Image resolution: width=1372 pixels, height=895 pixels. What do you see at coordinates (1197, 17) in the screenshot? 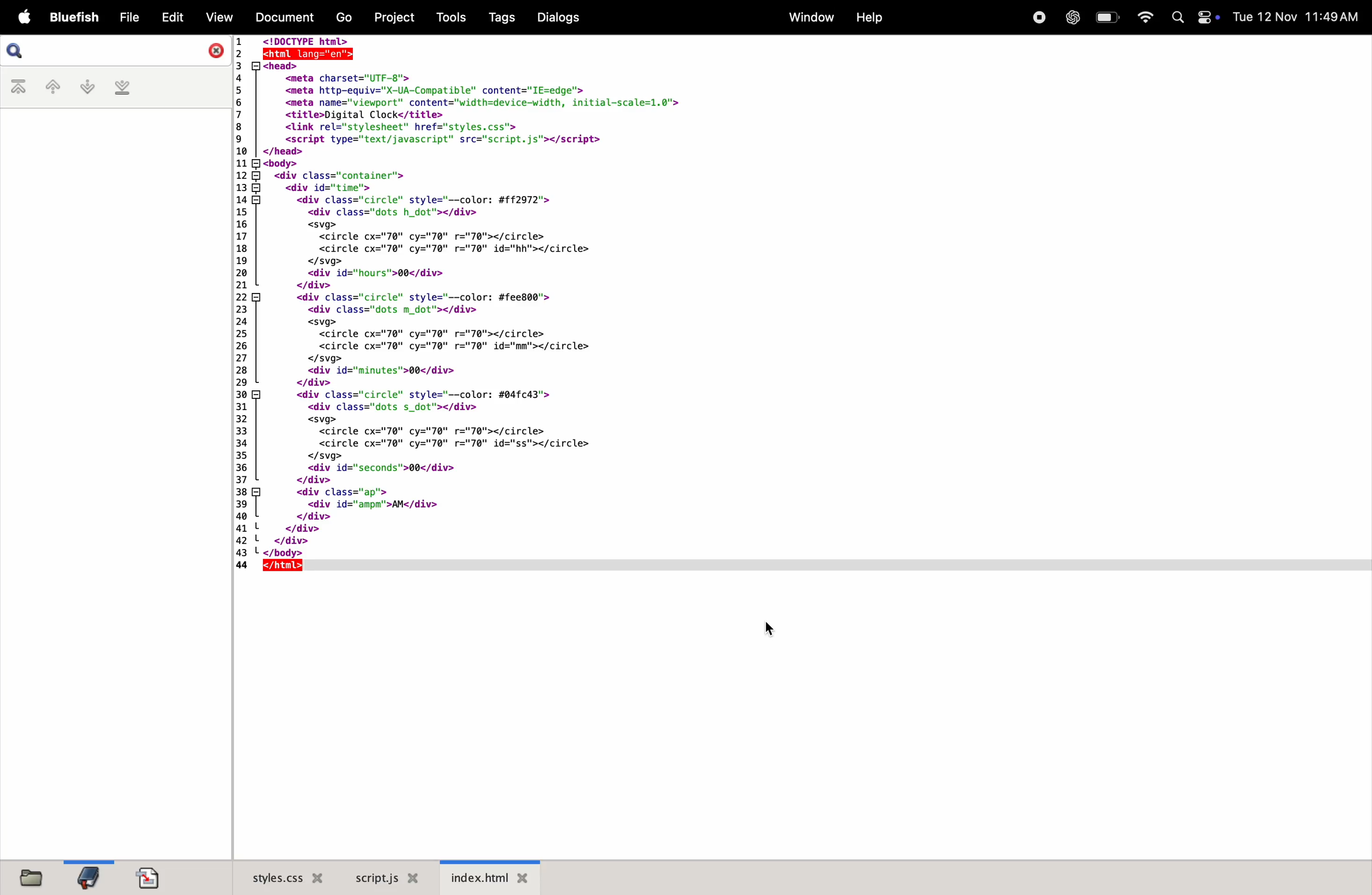
I see `apple widgets` at bounding box center [1197, 17].